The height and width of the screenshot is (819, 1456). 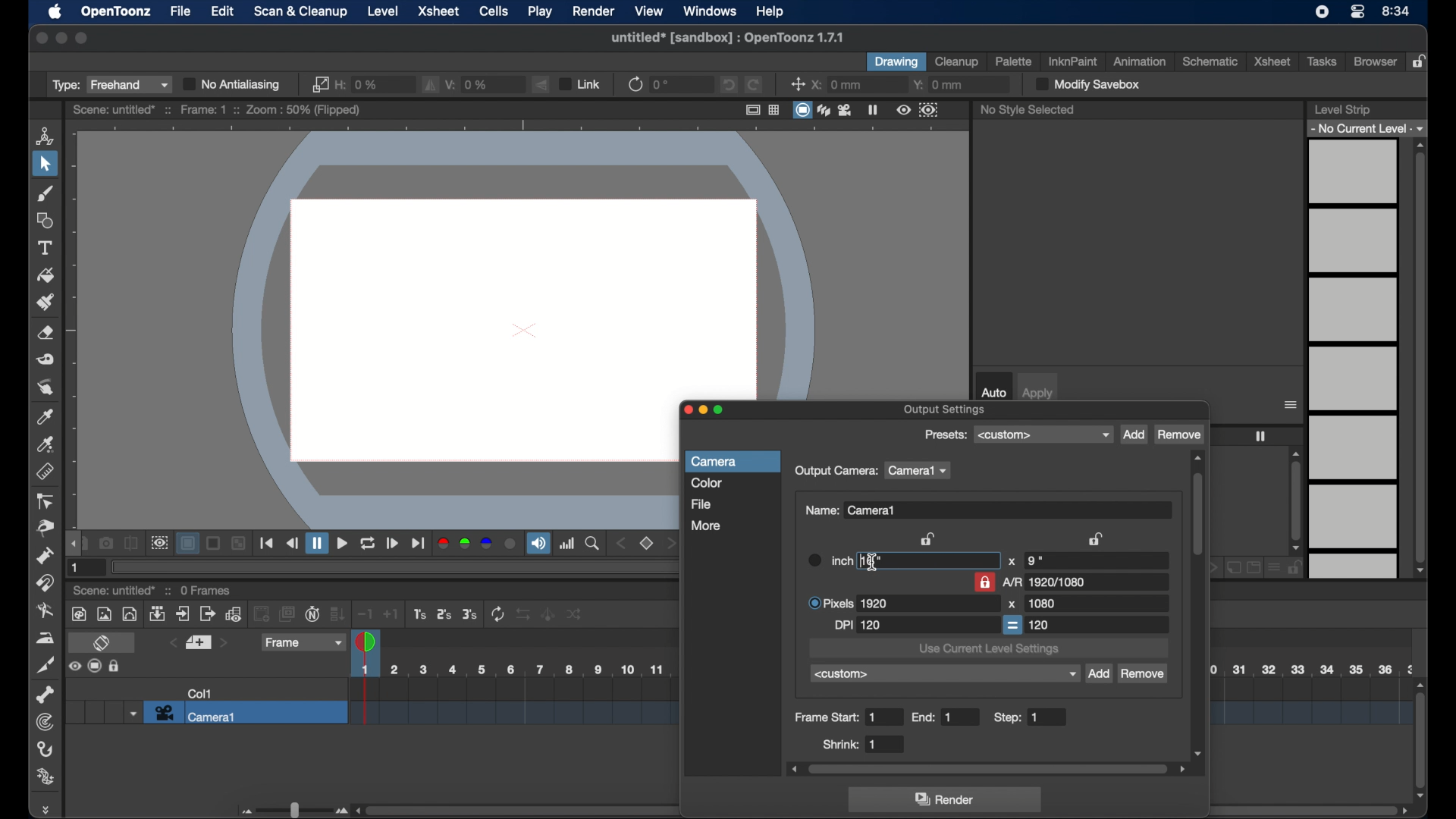 What do you see at coordinates (246, 713) in the screenshot?
I see `camera 1` at bounding box center [246, 713].